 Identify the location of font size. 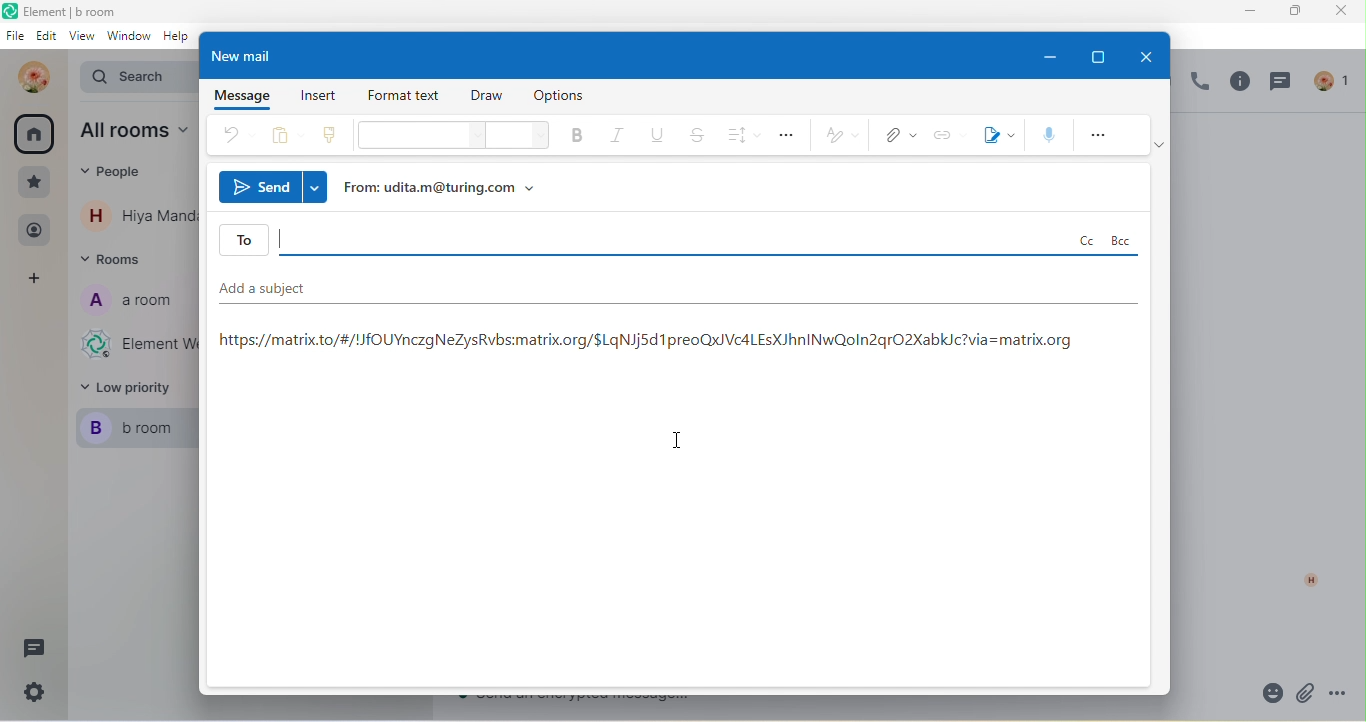
(515, 137).